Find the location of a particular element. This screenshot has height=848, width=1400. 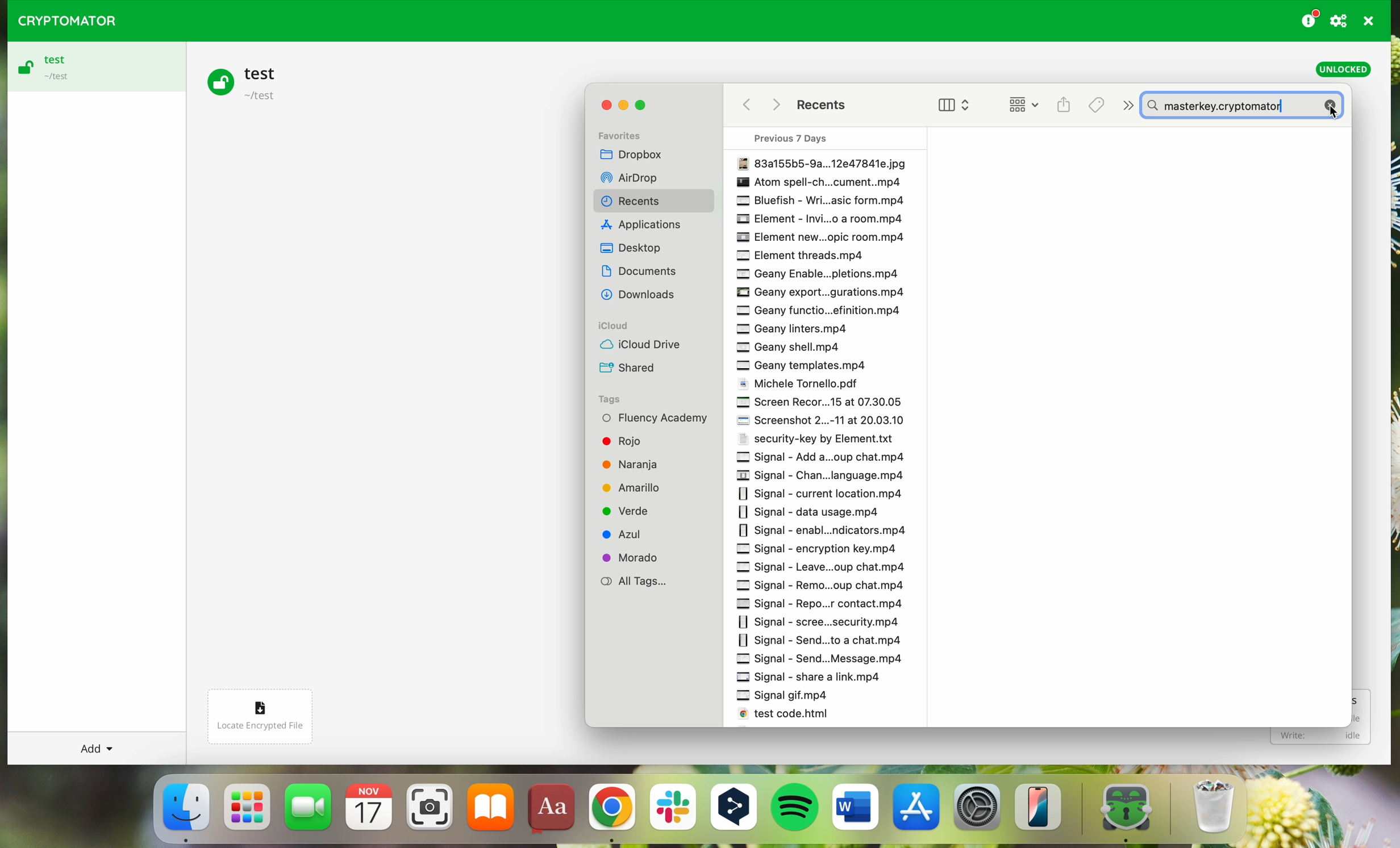

Recents is located at coordinates (635, 201).